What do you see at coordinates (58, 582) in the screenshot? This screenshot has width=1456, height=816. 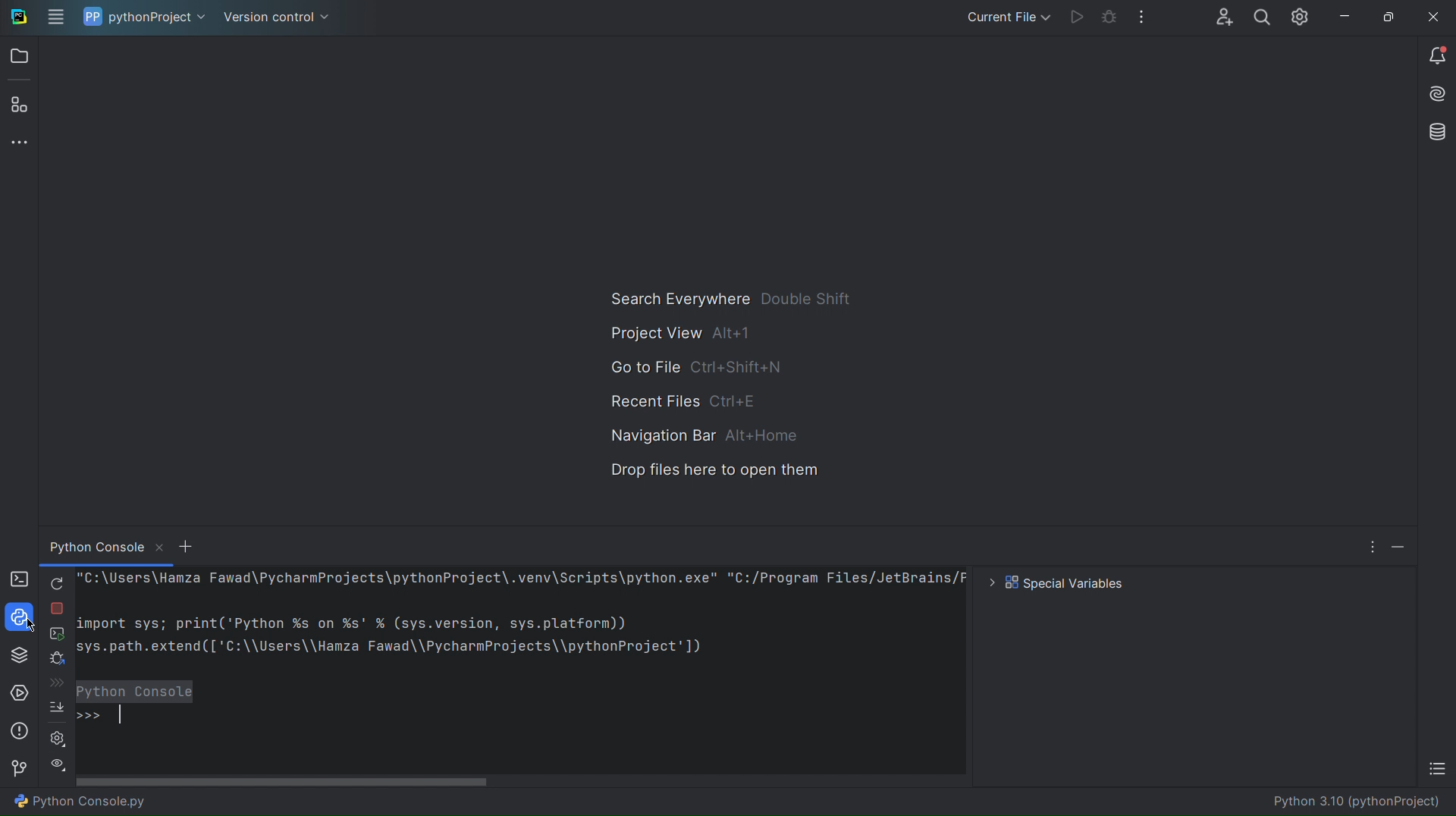 I see `Rerun` at bounding box center [58, 582].